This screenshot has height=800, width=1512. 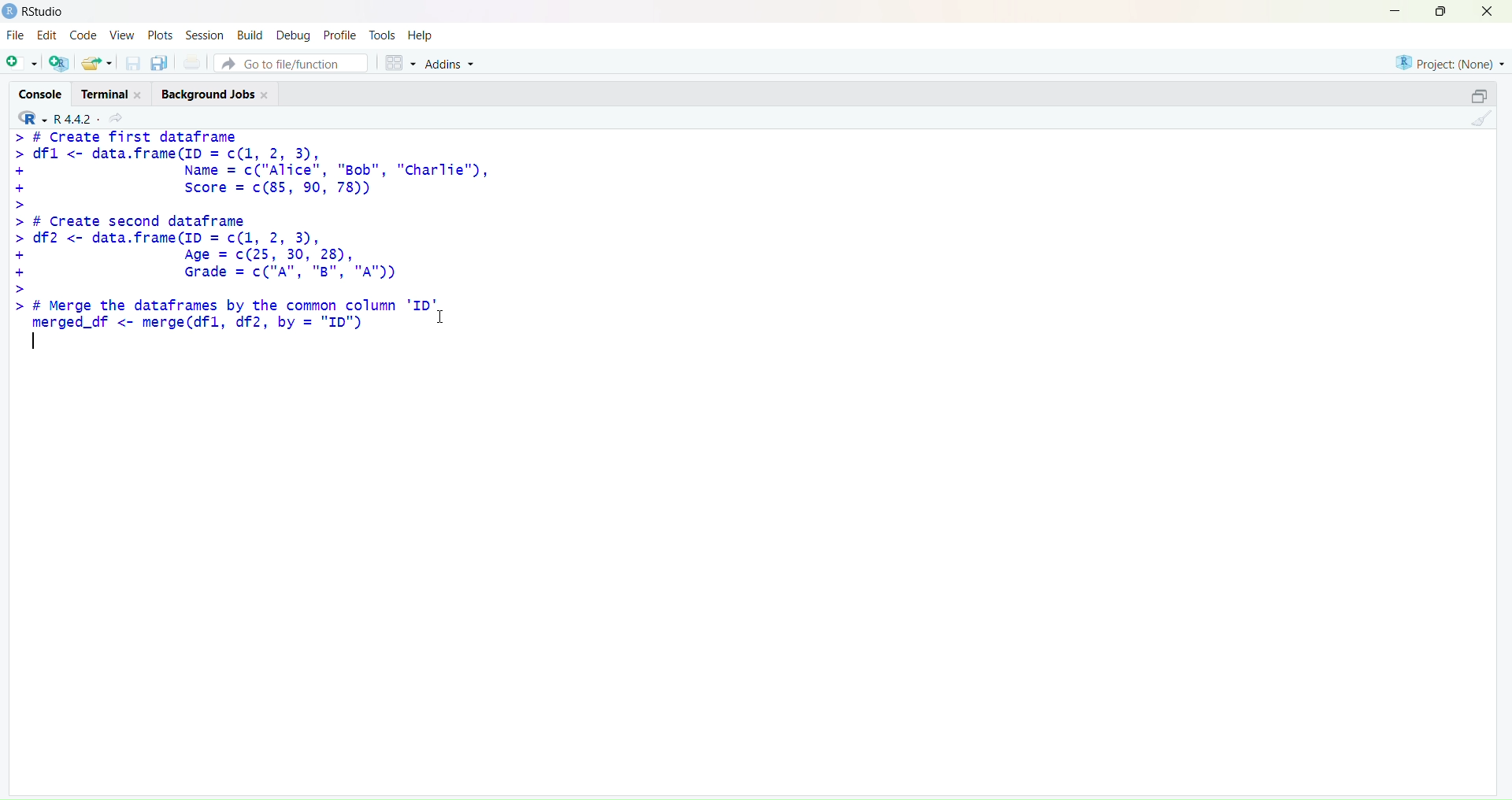 What do you see at coordinates (133, 64) in the screenshot?
I see `save current document` at bounding box center [133, 64].